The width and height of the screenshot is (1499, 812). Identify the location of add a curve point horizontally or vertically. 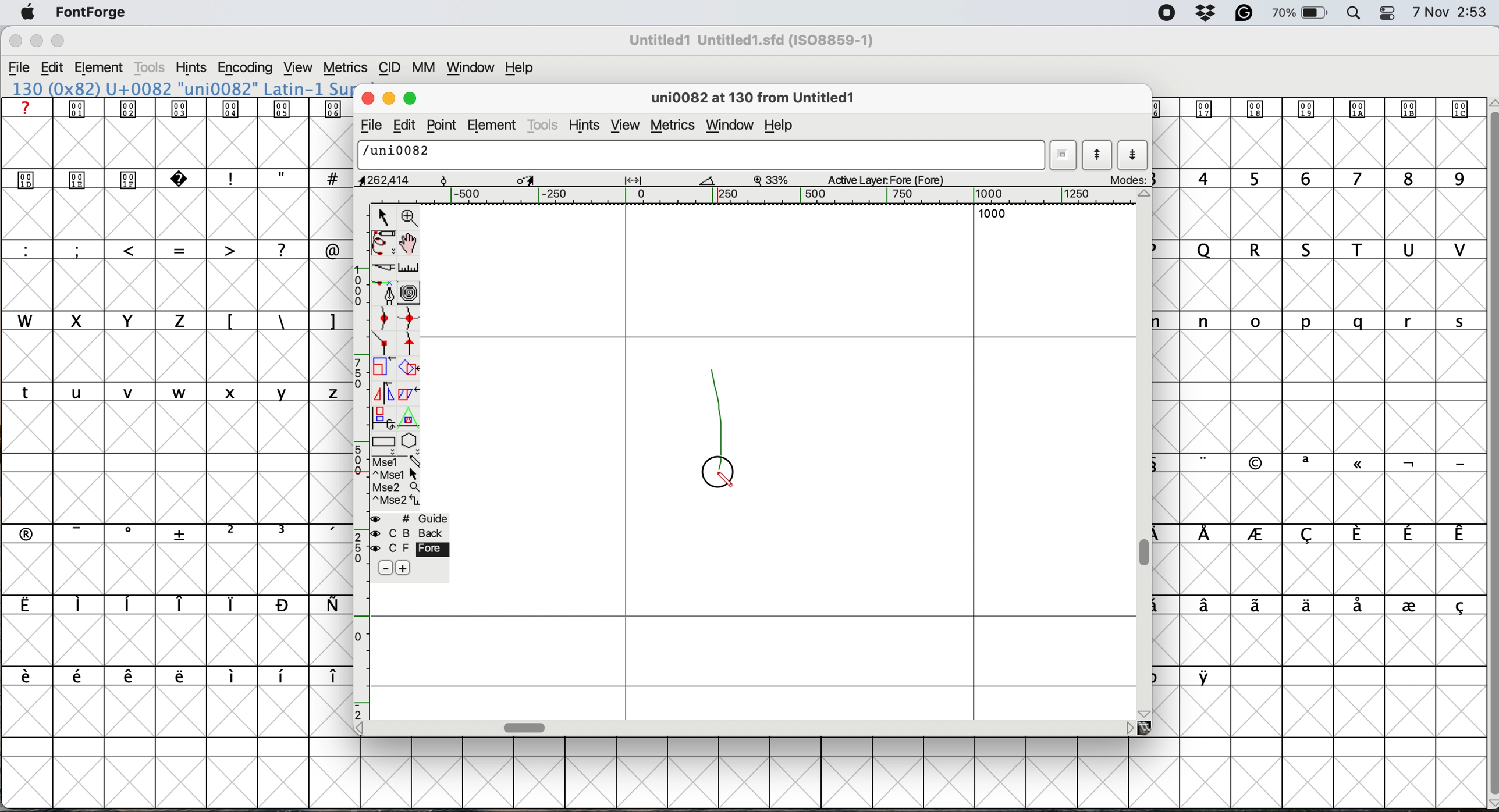
(413, 321).